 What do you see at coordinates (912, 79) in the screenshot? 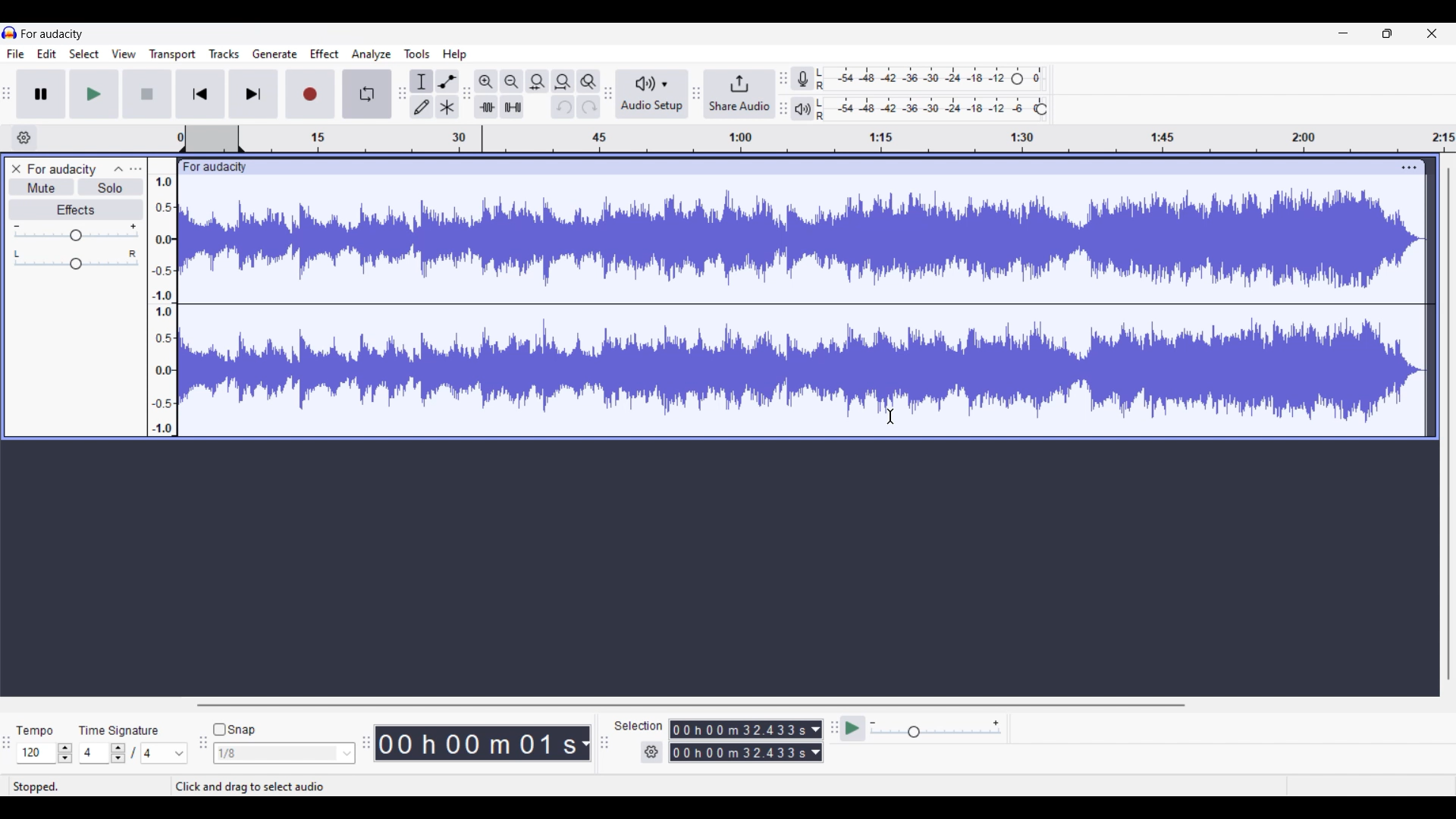
I see `Recording level` at bounding box center [912, 79].